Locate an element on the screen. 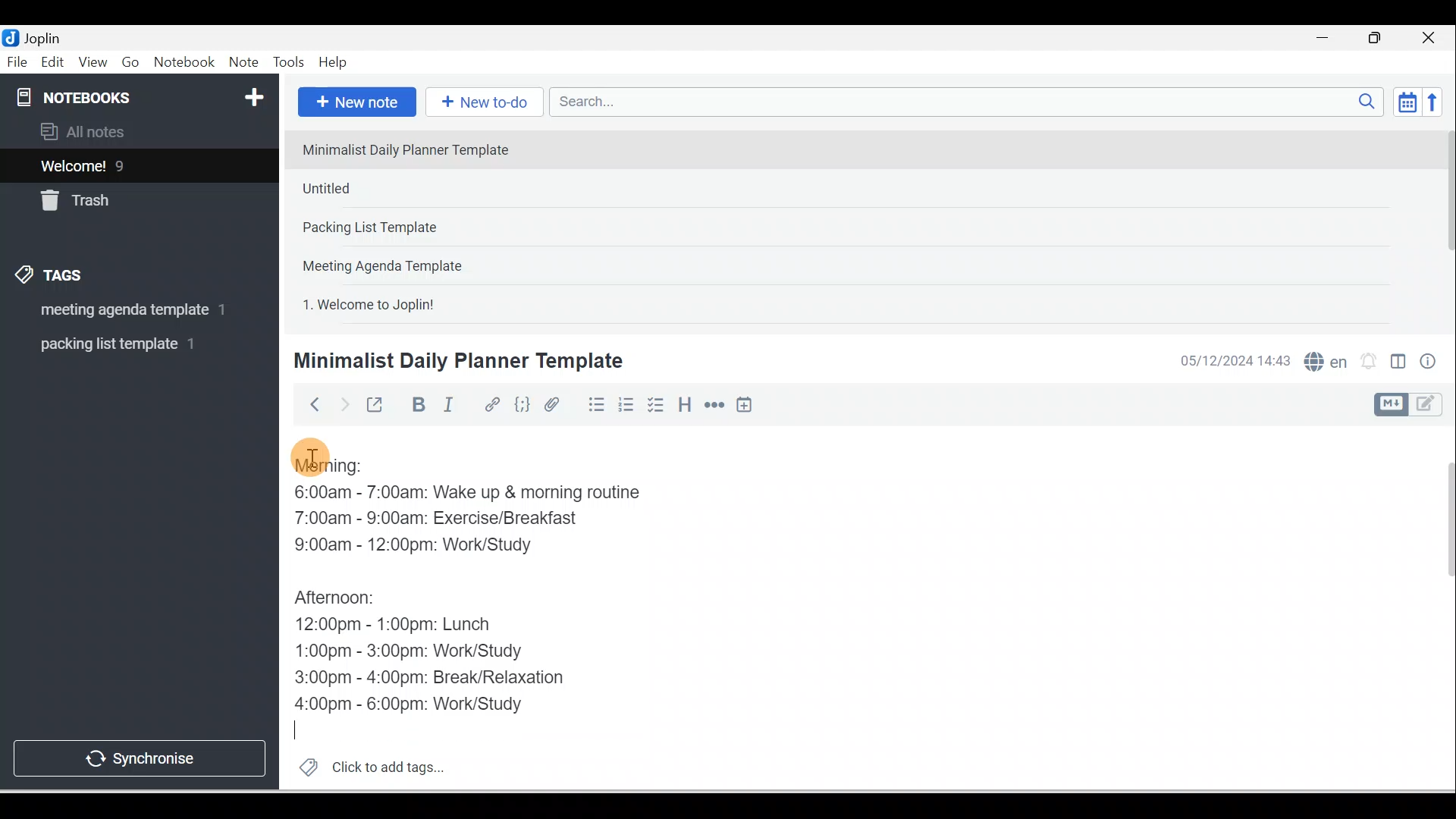 The image size is (1456, 819). Tag 2 is located at coordinates (128, 344).